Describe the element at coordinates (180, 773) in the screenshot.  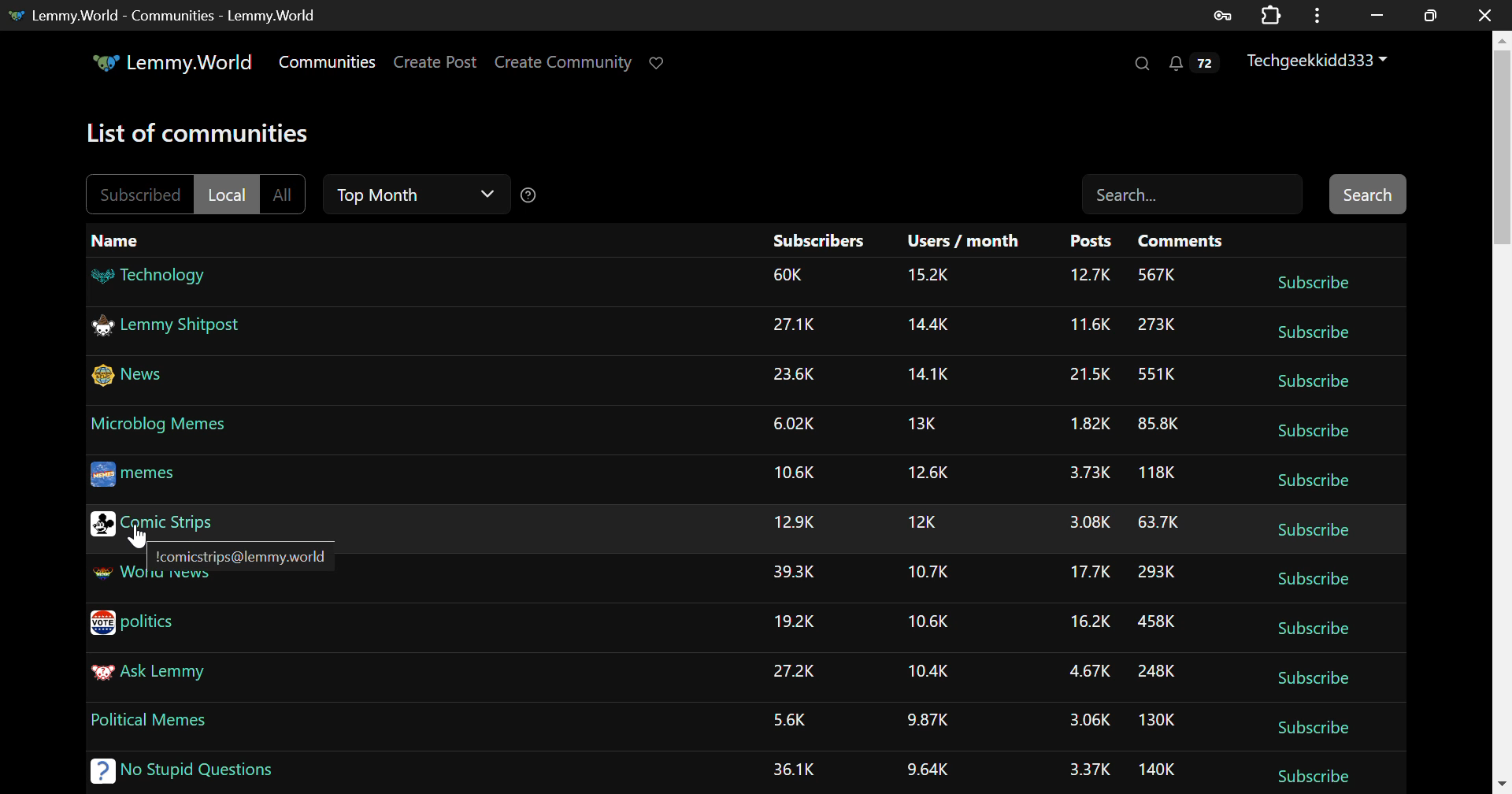
I see `No Stupid Questions` at that location.